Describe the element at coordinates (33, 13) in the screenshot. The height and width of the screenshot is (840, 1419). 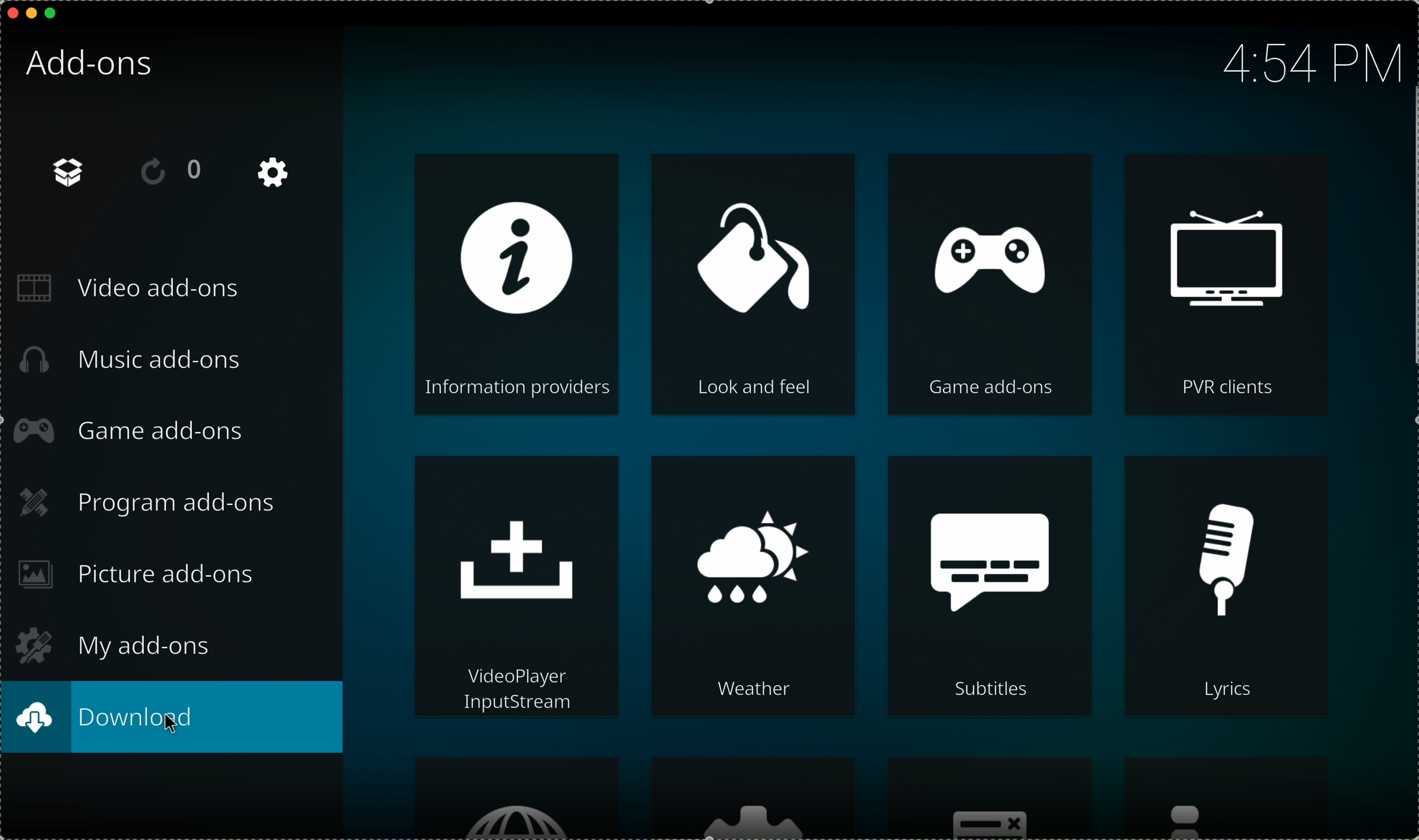
I see `minimize` at that location.